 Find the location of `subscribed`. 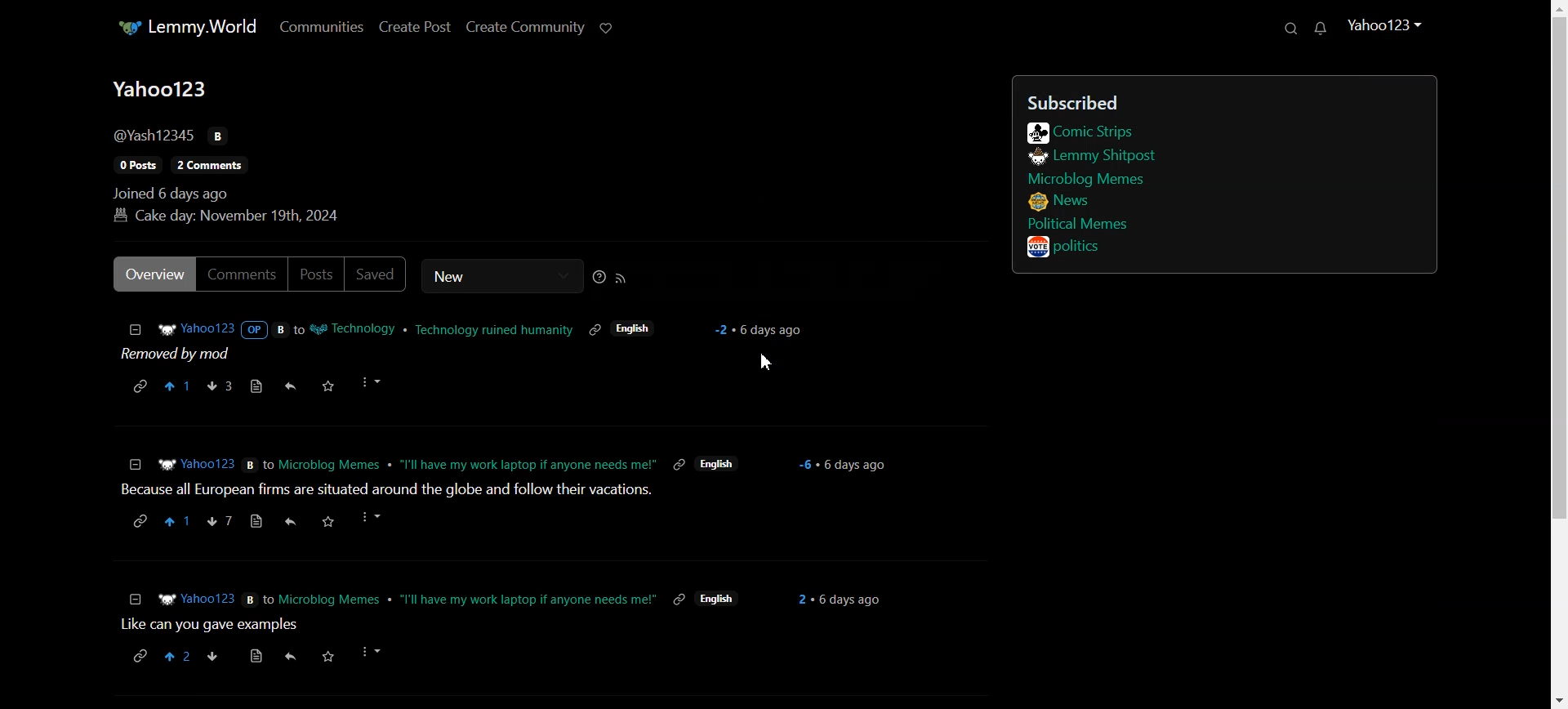

subscribed is located at coordinates (1174, 100).